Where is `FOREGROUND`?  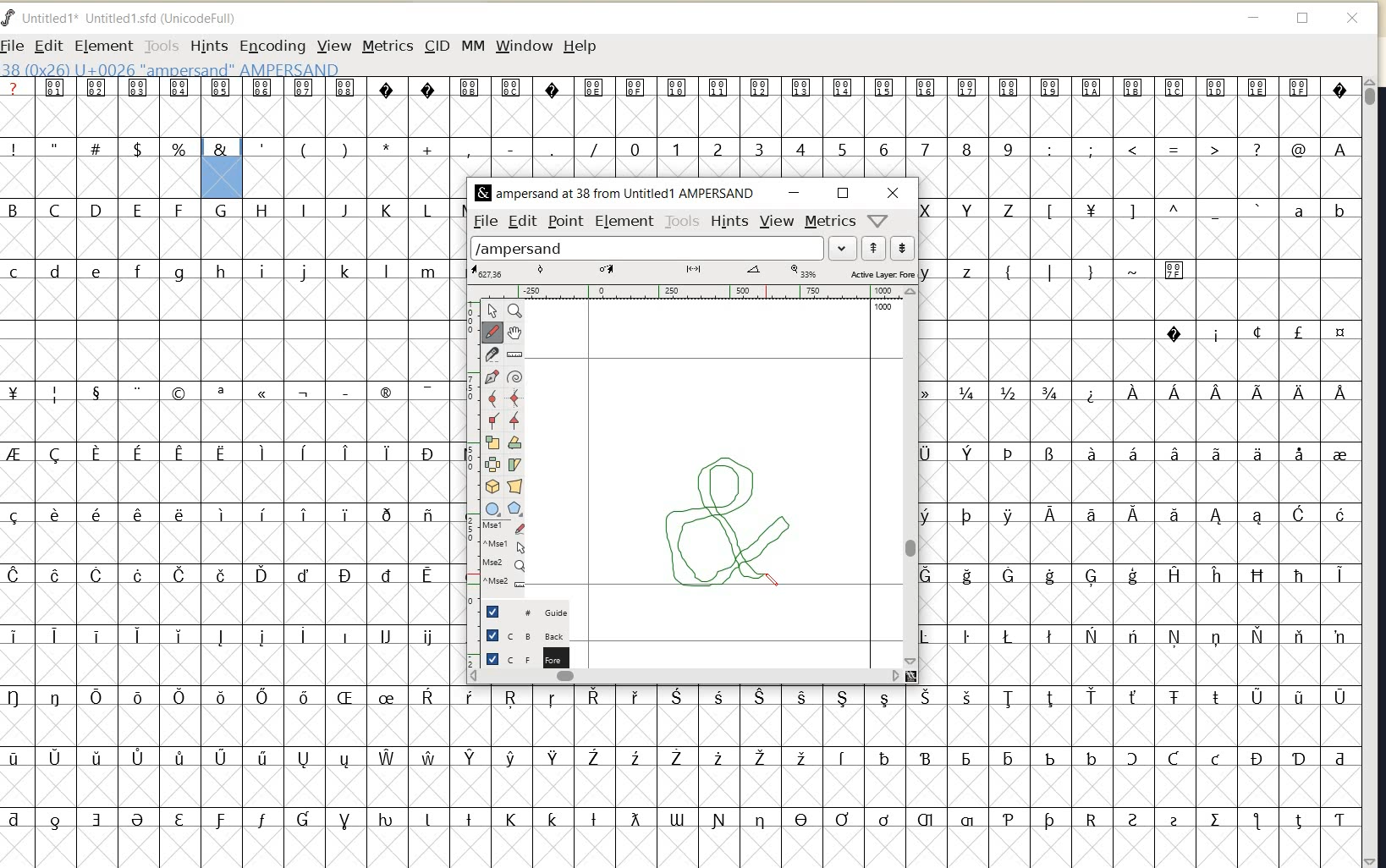
FOREGROUND is located at coordinates (521, 657).